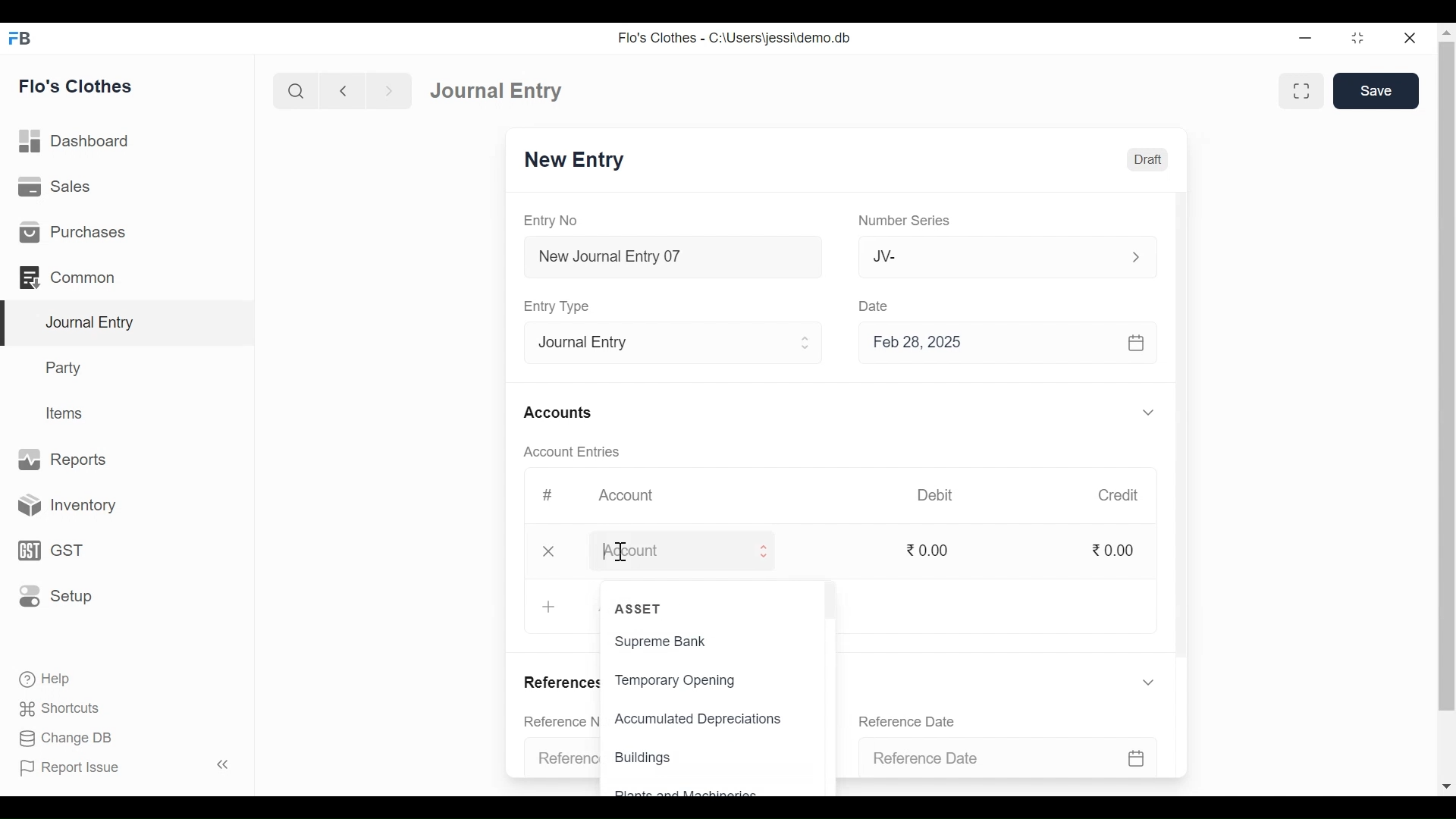 This screenshot has height=819, width=1456. I want to click on 0.00, so click(928, 551).